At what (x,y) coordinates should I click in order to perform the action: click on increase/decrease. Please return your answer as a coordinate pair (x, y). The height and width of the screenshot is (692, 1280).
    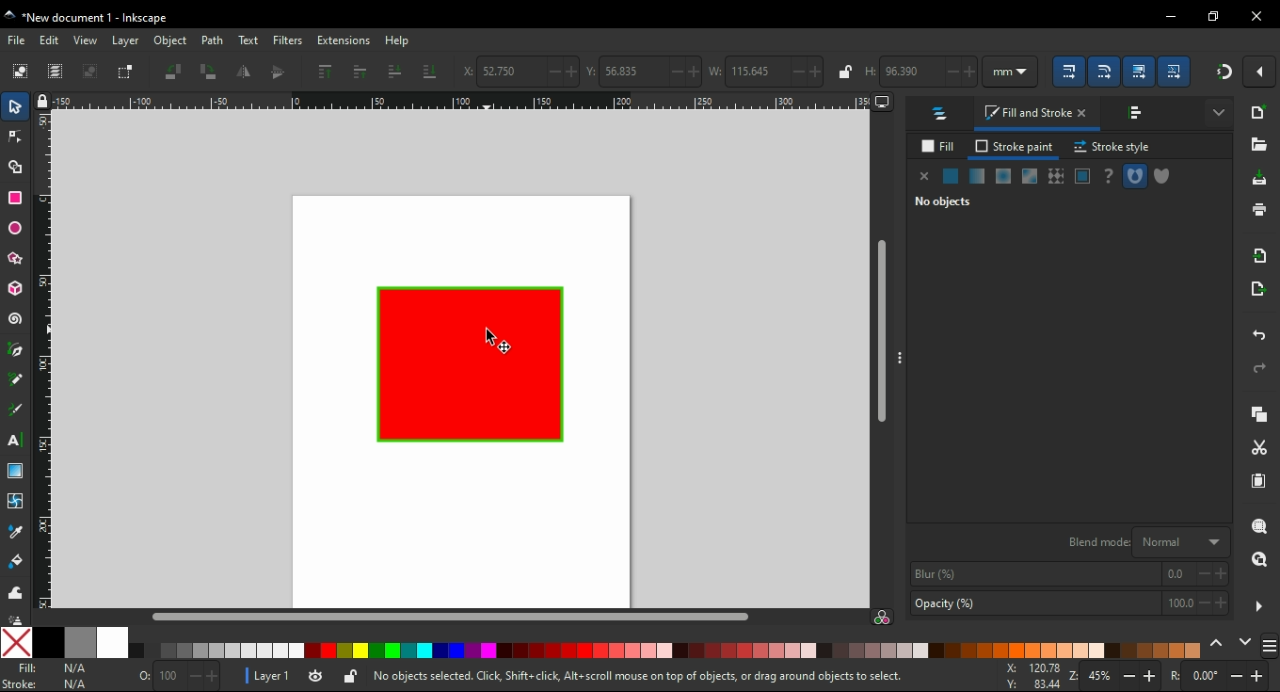
    Looking at the image, I should click on (203, 676).